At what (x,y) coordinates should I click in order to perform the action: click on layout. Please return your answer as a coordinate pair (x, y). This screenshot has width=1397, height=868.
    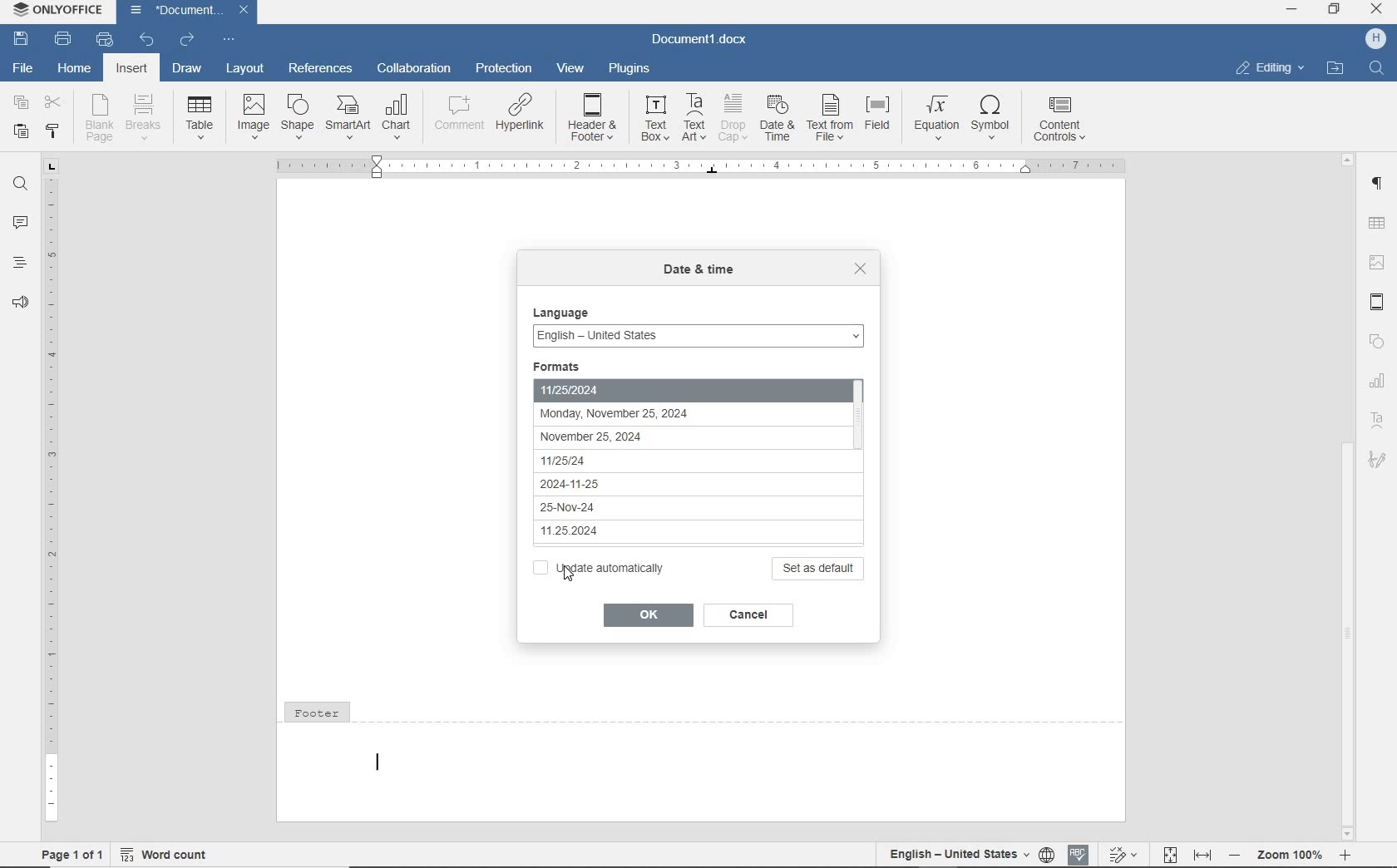
    Looking at the image, I should click on (245, 70).